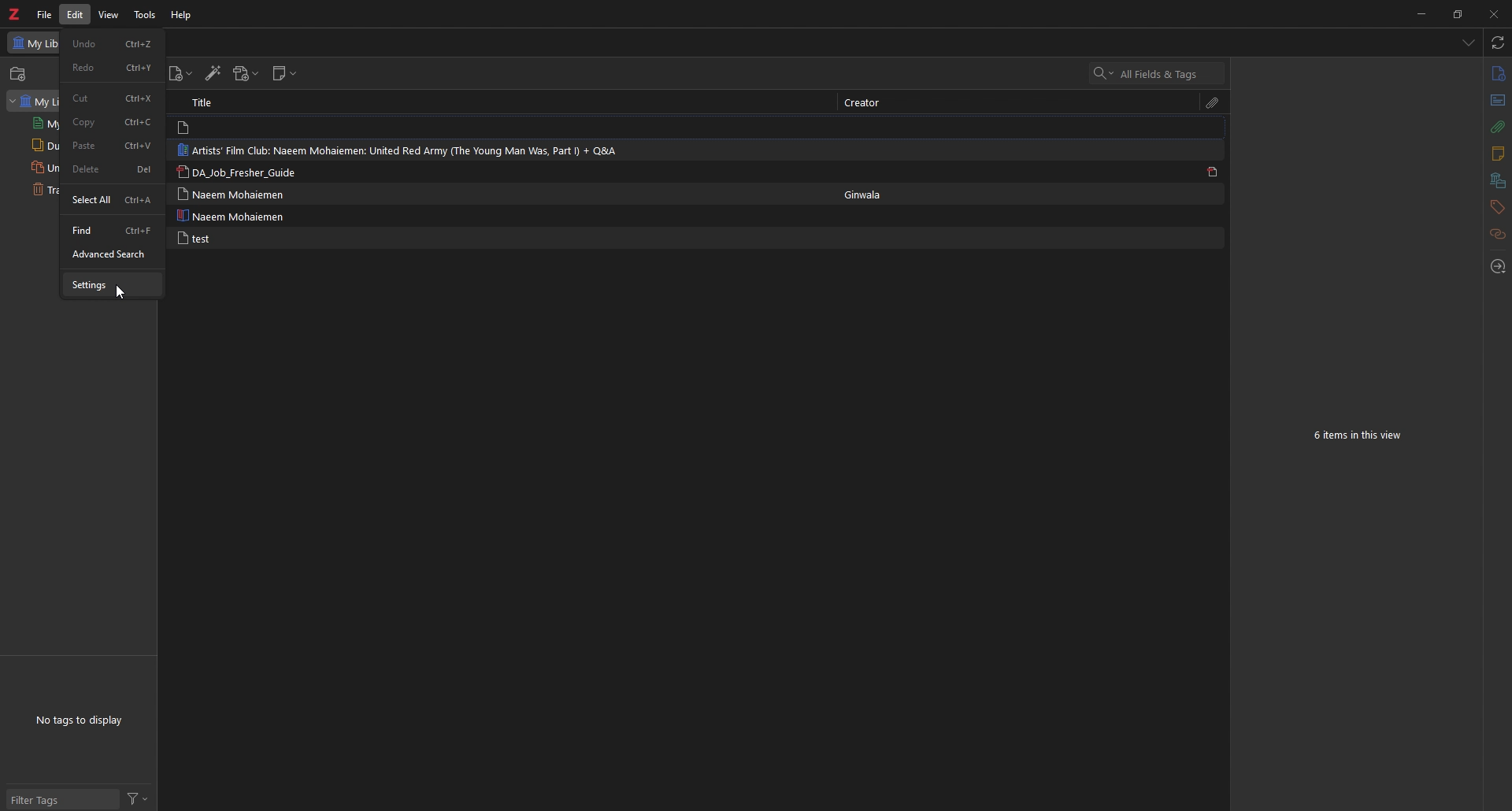 This screenshot has width=1512, height=811. I want to click on attachment, so click(1496, 128).